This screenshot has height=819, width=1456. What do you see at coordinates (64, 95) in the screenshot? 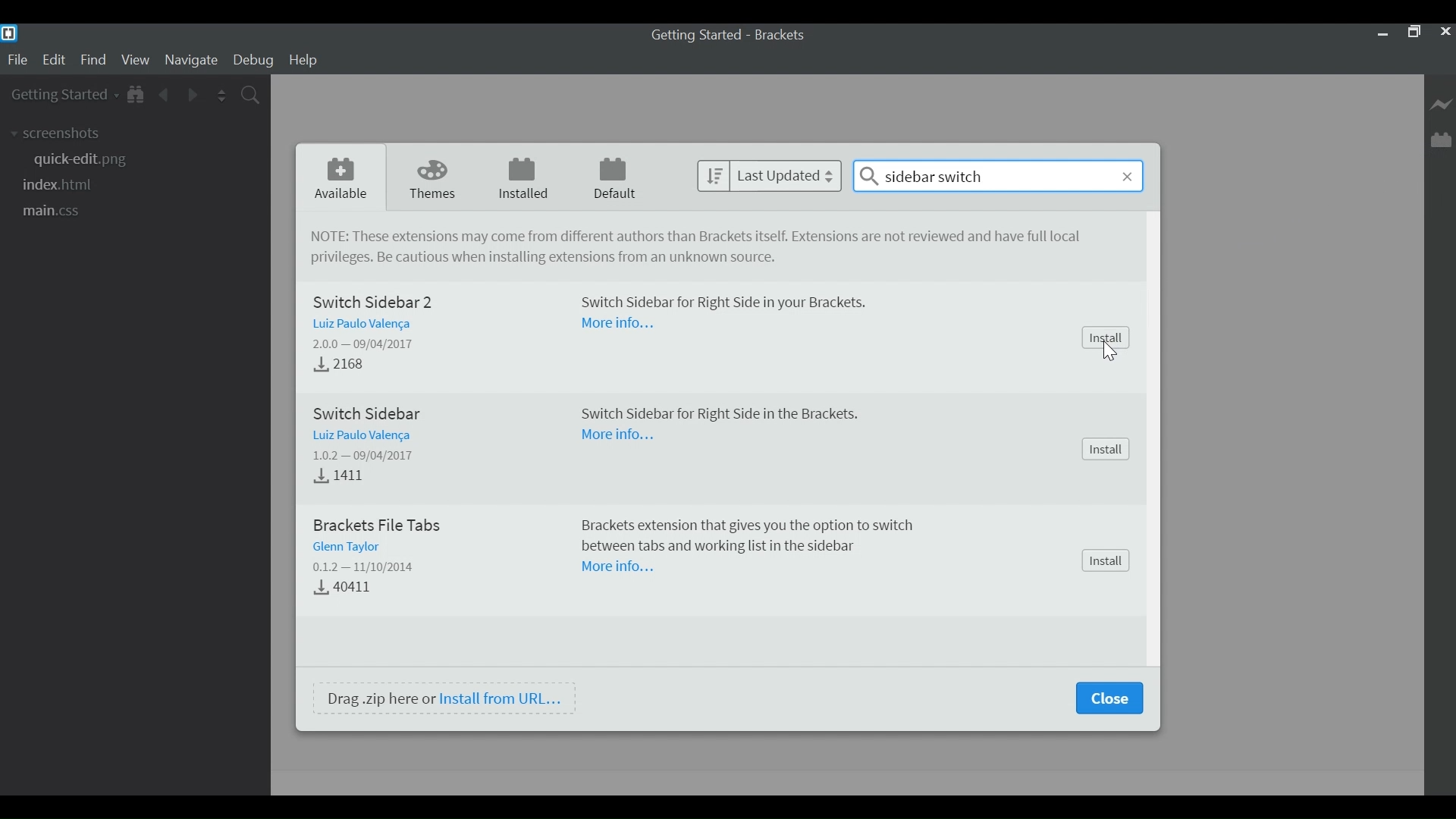
I see `Getting Started` at bounding box center [64, 95].